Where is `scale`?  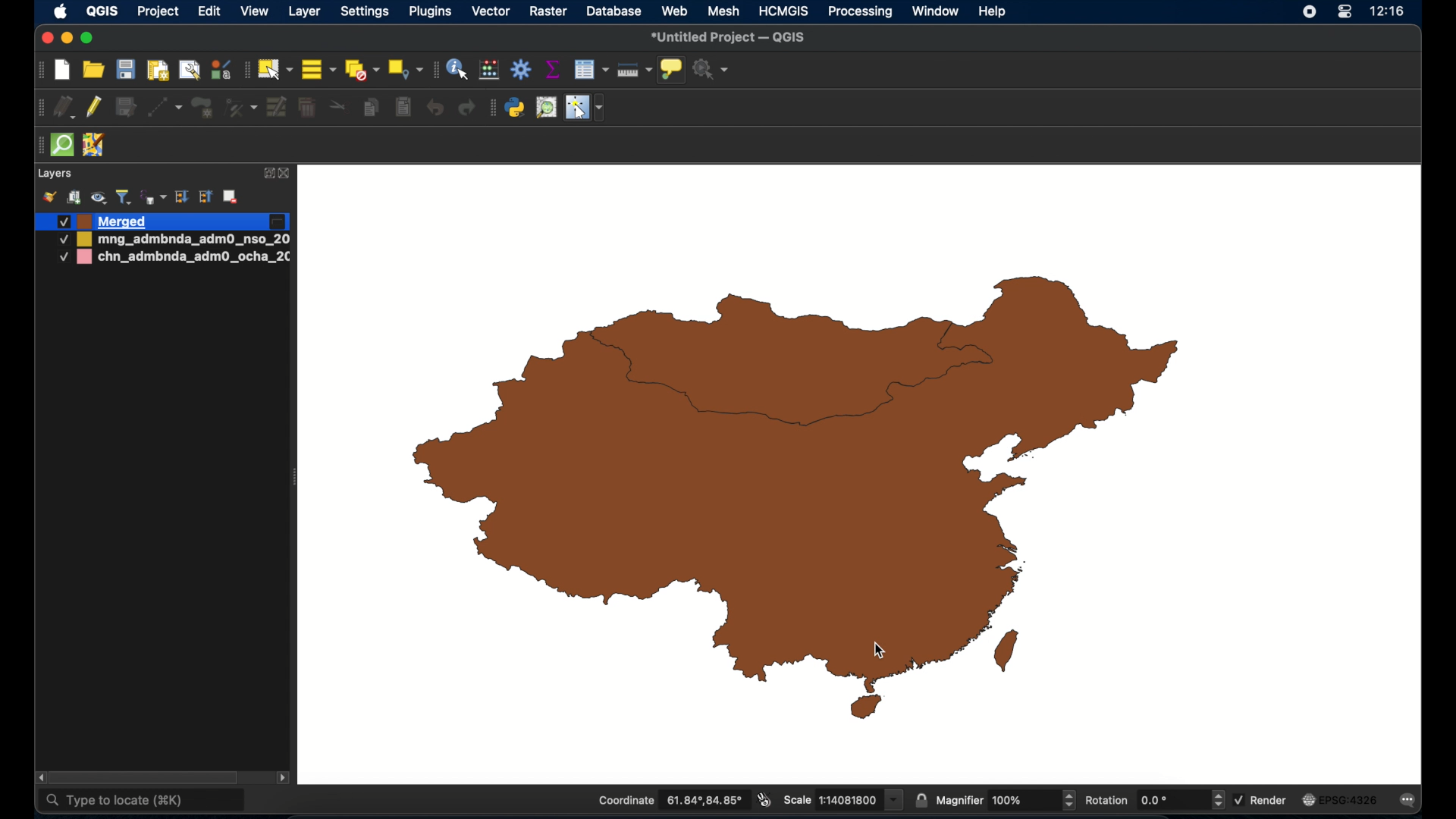 scale is located at coordinates (842, 799).